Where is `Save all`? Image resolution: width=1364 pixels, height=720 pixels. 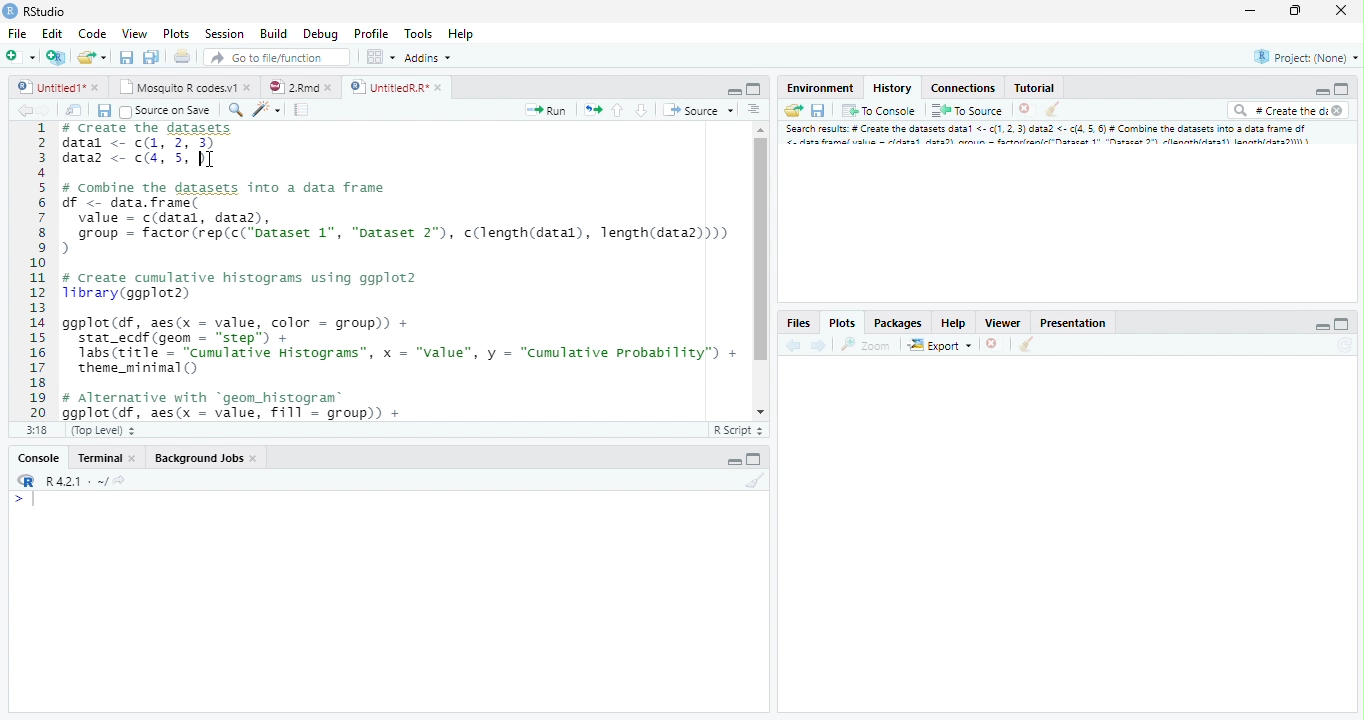
Save all is located at coordinates (151, 57).